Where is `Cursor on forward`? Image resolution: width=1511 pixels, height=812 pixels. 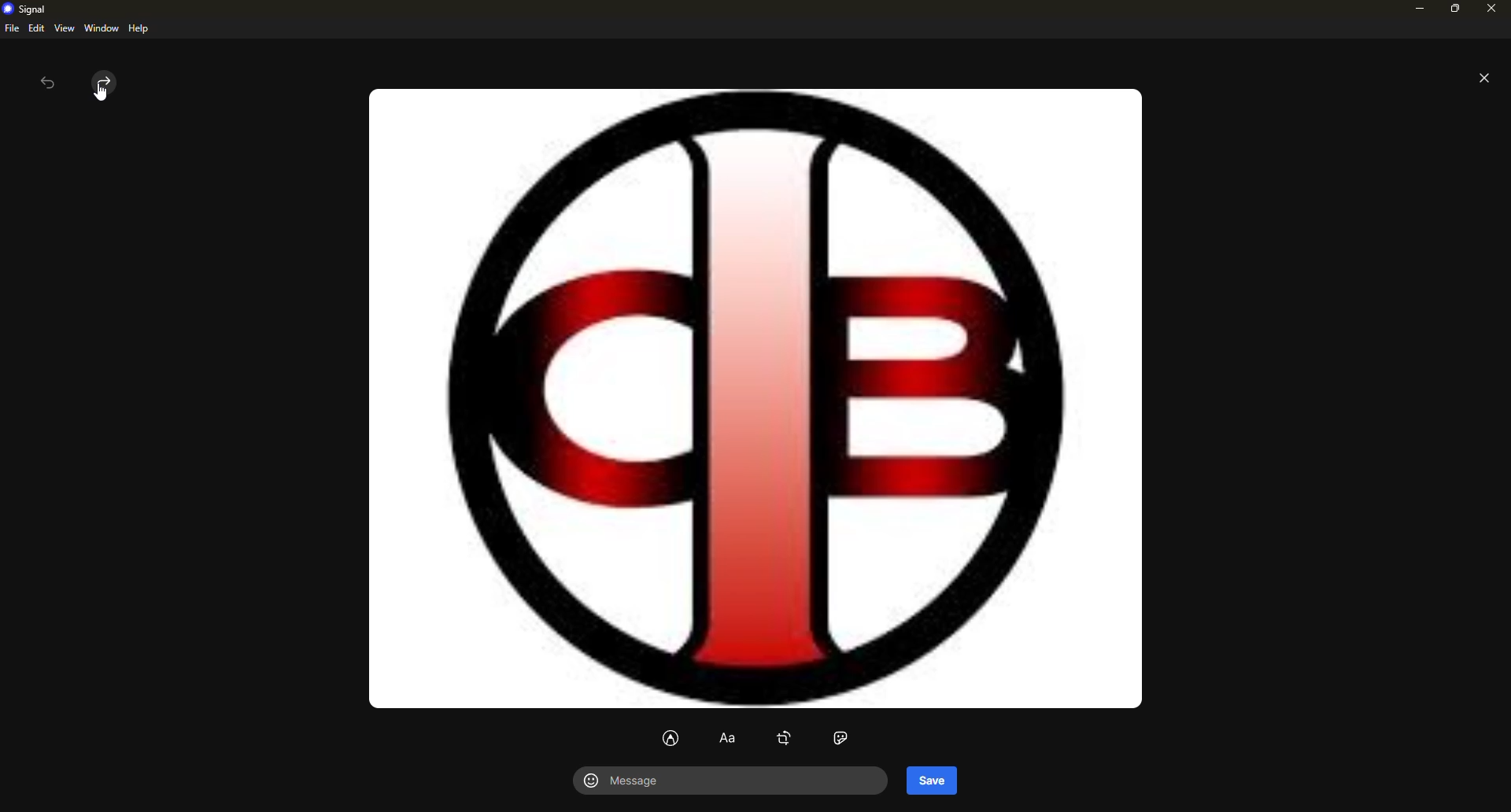
Cursor on forward is located at coordinates (98, 87).